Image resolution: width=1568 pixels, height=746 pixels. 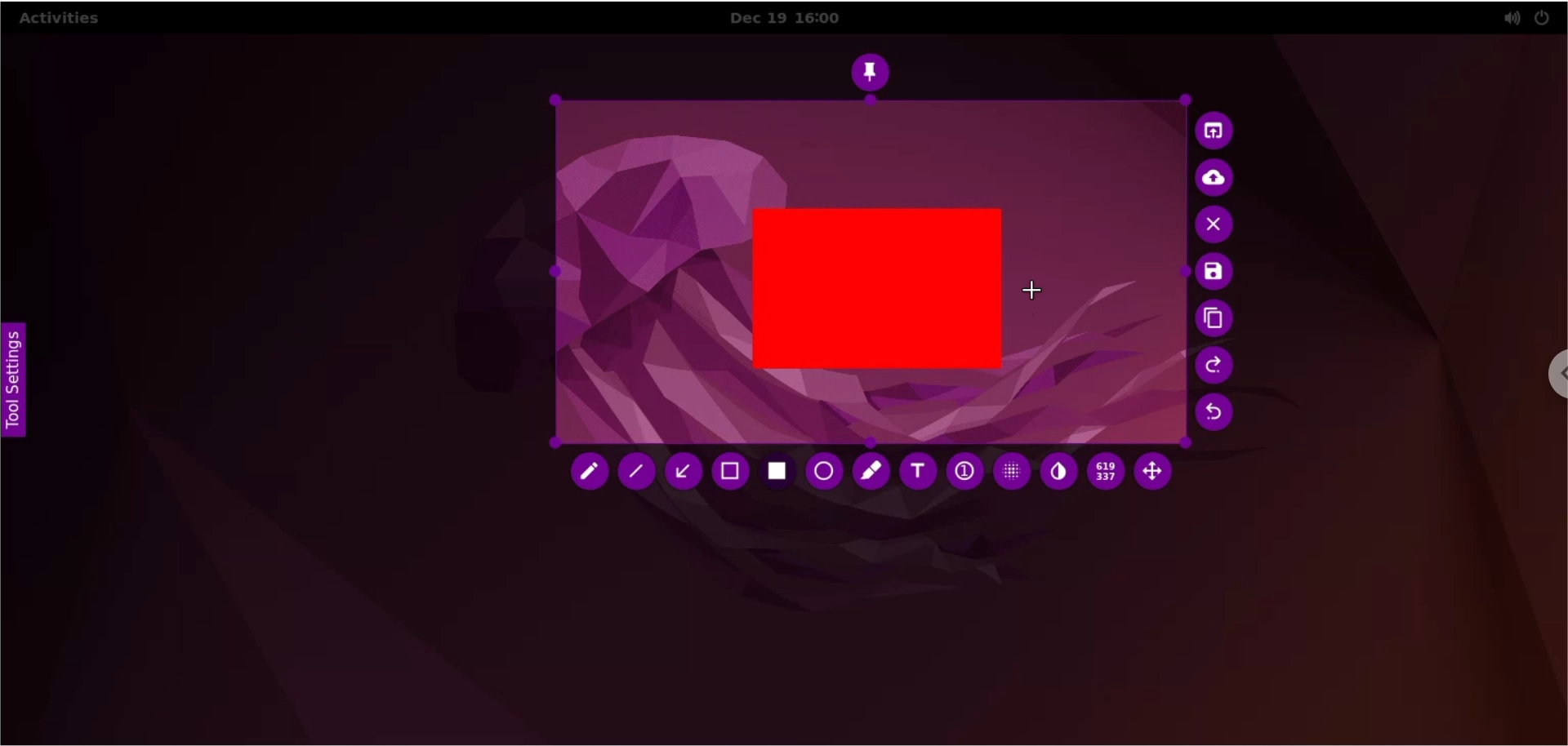 I want to click on copy to clipboards, so click(x=1213, y=320).